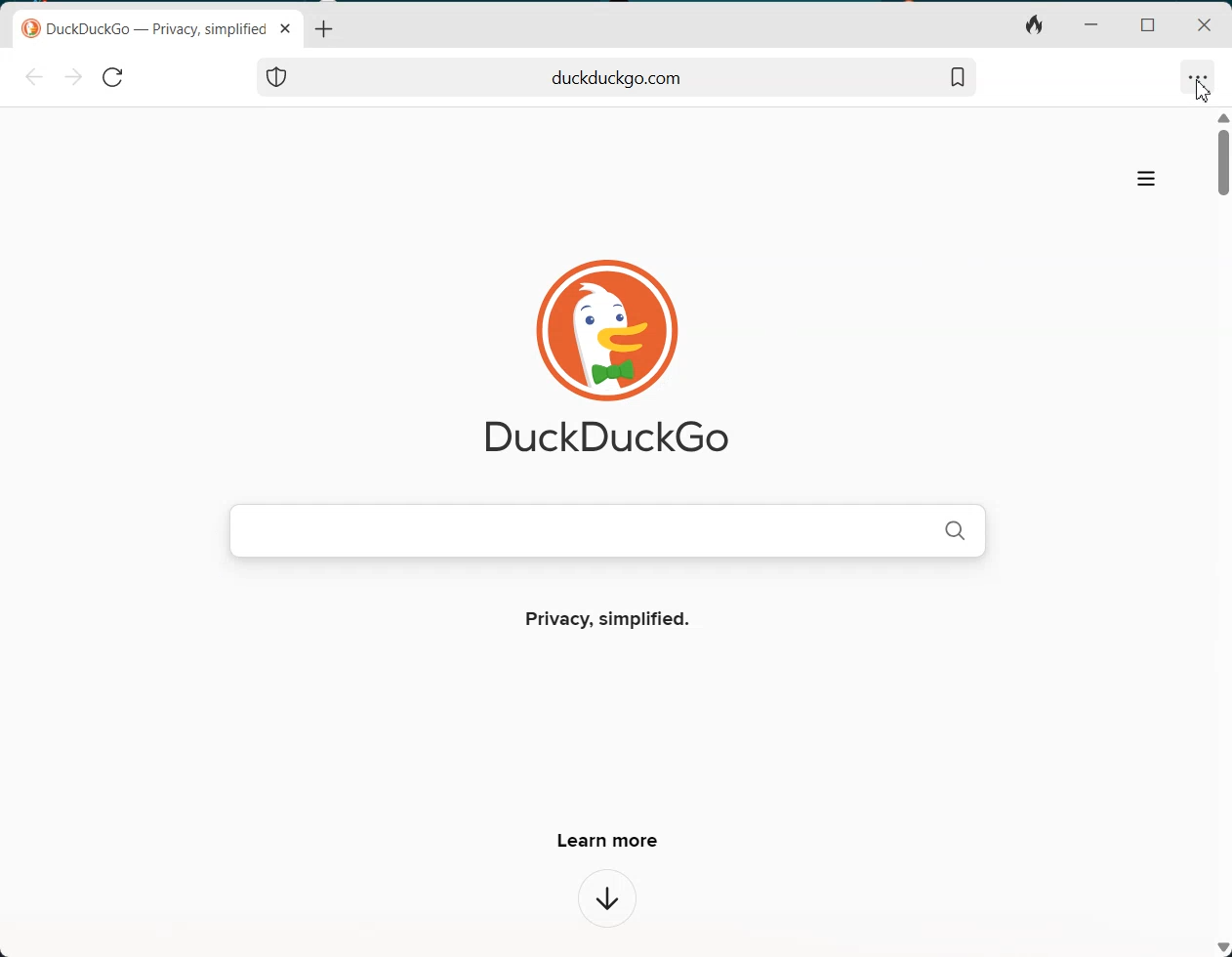  Describe the element at coordinates (1089, 25) in the screenshot. I see `Minimize` at that location.